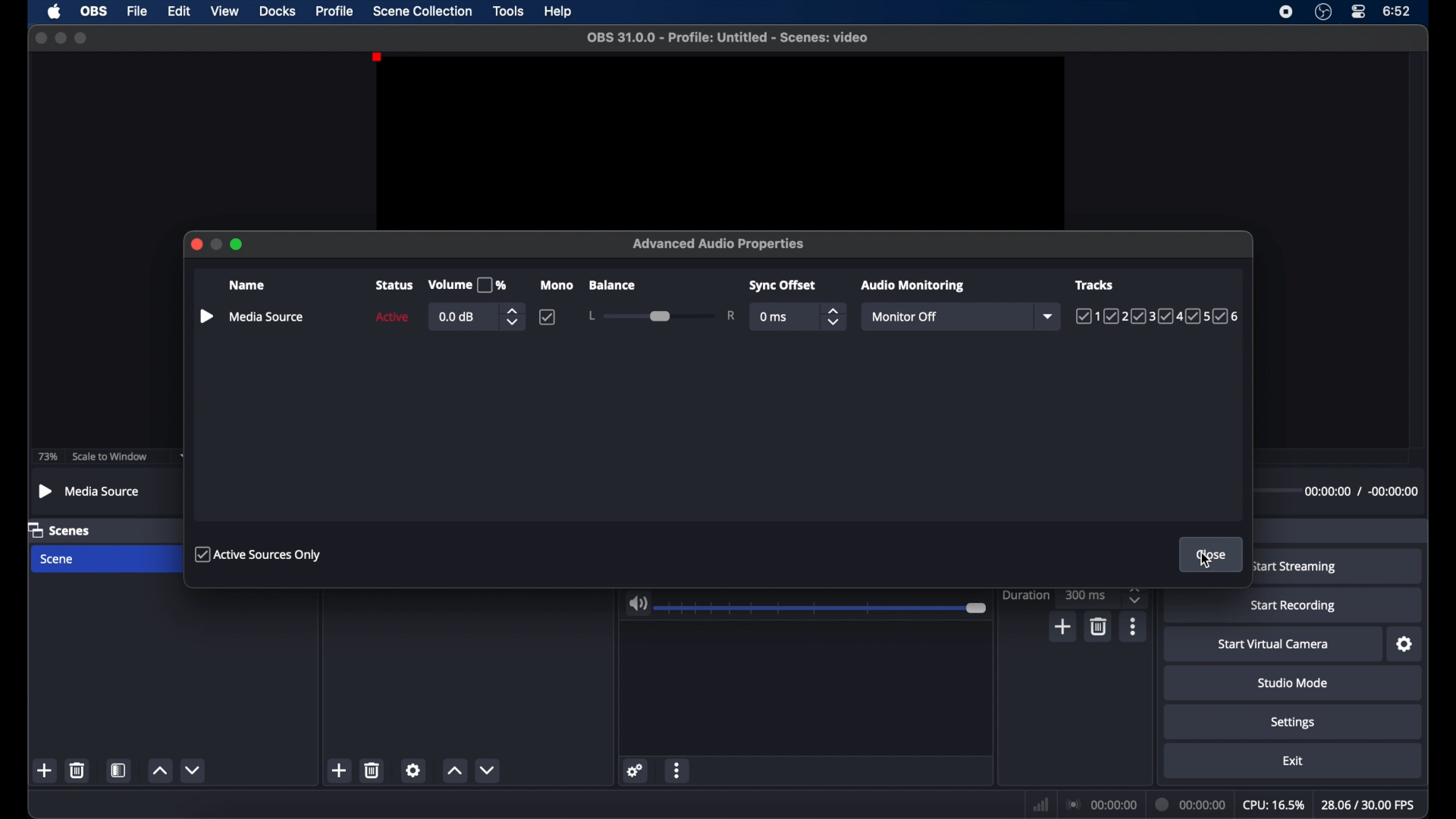 This screenshot has width=1456, height=819. Describe the element at coordinates (720, 243) in the screenshot. I see `advanced audio properties` at that location.